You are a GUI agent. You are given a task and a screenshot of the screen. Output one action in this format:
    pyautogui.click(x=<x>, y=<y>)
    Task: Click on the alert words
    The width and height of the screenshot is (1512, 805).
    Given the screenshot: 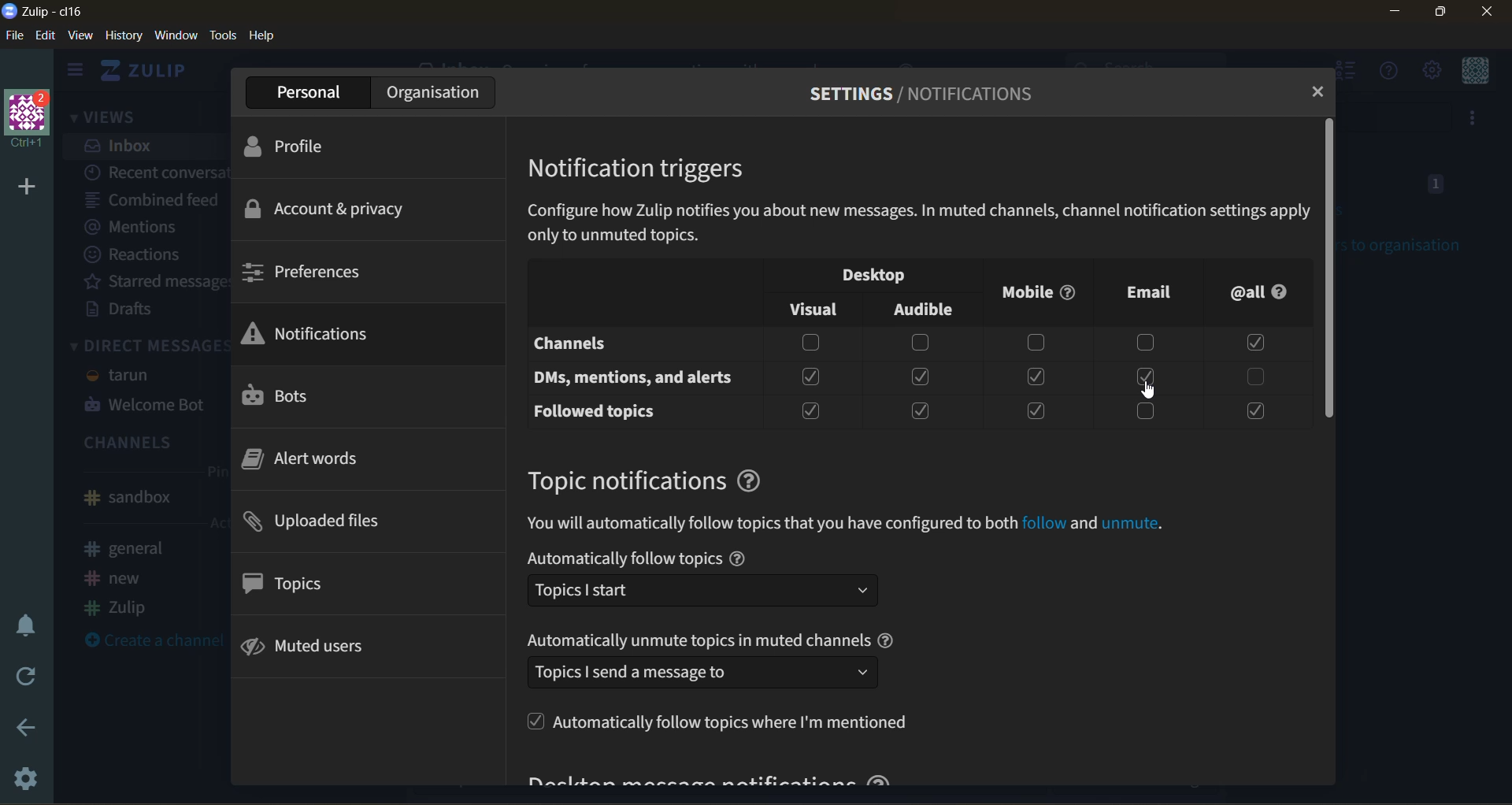 What is the action you would take?
    pyautogui.click(x=314, y=464)
    